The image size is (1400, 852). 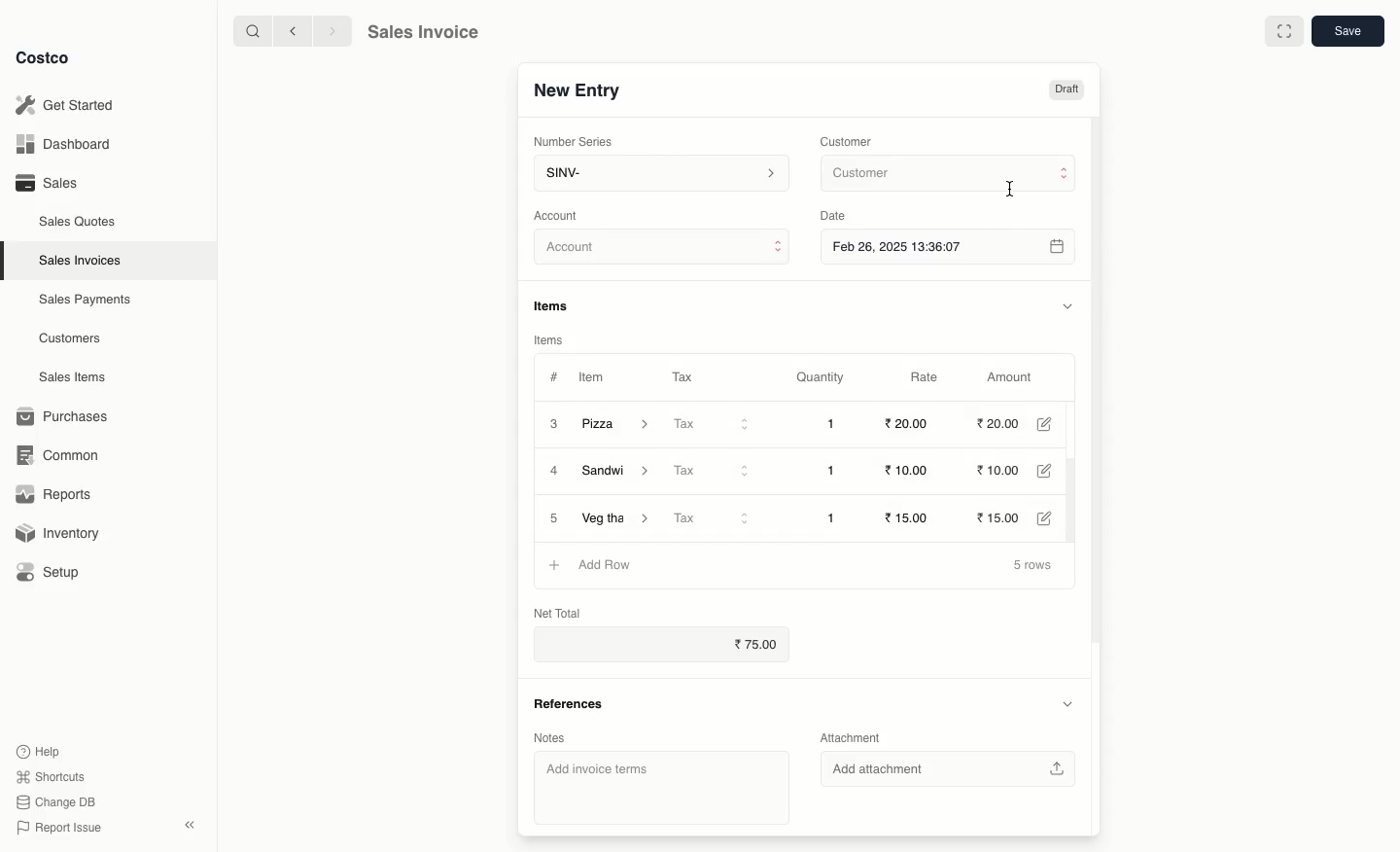 I want to click on Sandwich, so click(x=621, y=473).